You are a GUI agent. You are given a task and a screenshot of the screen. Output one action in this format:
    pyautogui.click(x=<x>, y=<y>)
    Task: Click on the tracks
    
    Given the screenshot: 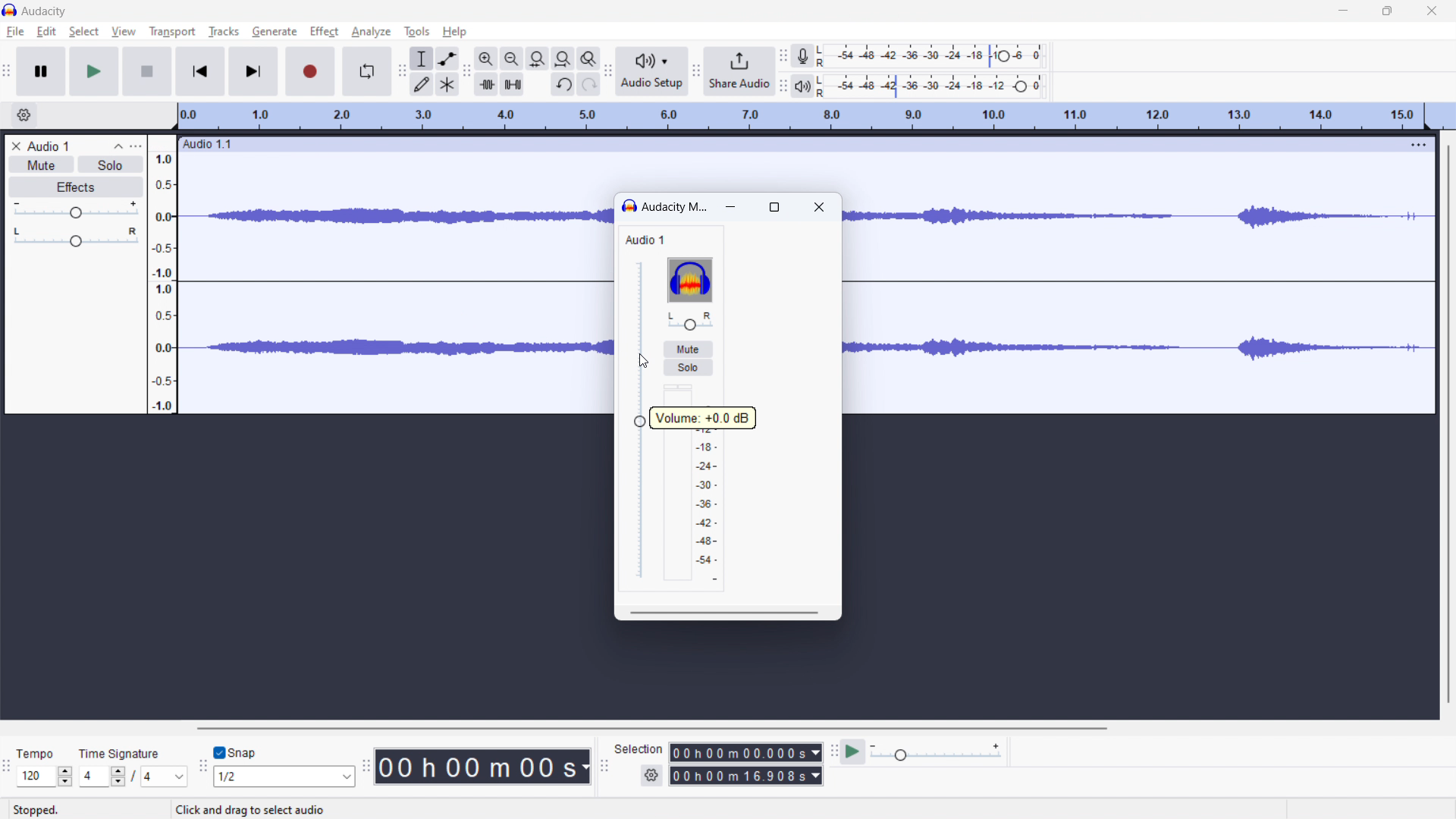 What is the action you would take?
    pyautogui.click(x=223, y=32)
    